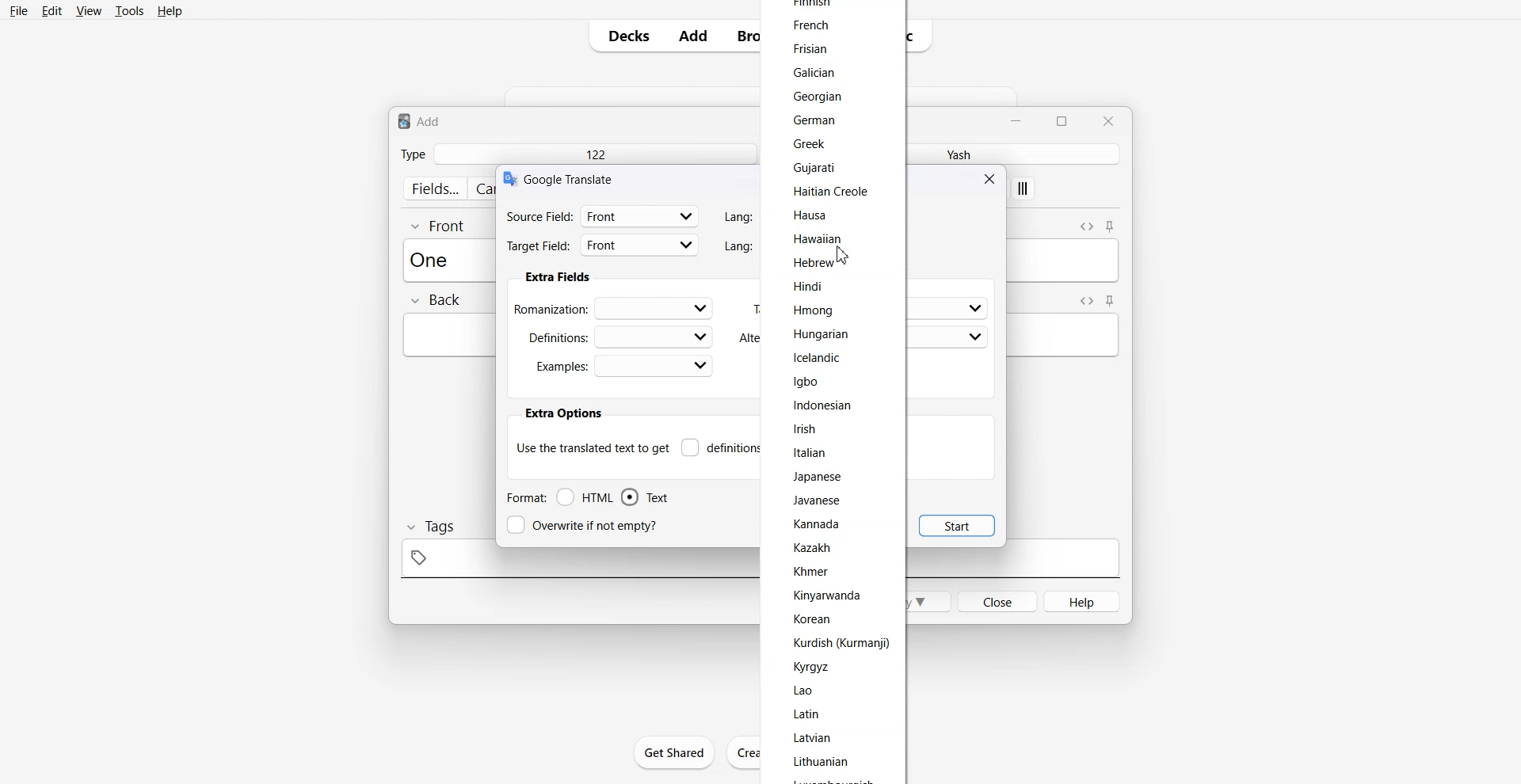 The image size is (1521, 784). I want to click on Close, so click(1107, 120).